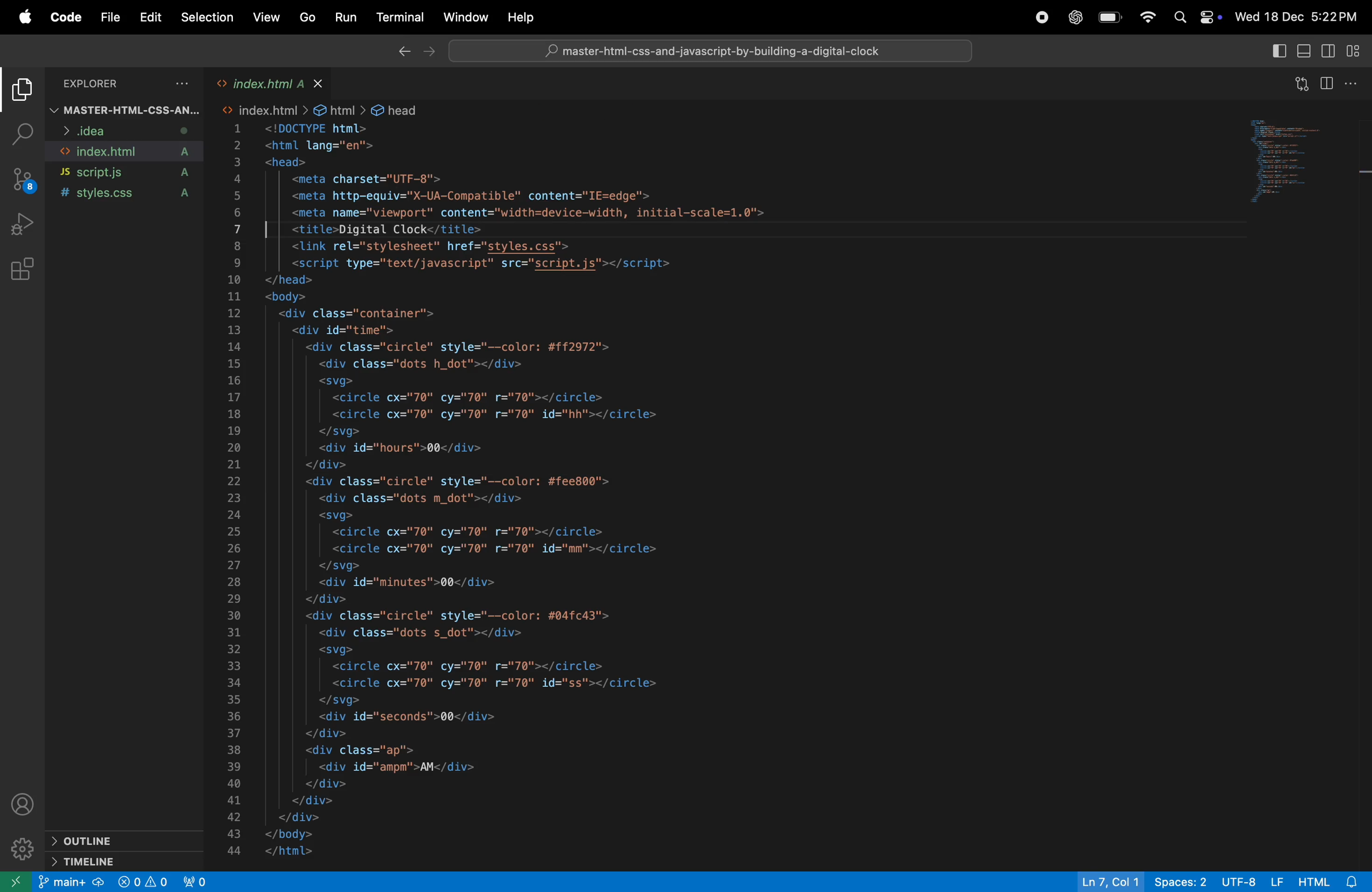  I want to click on settings, so click(22, 849).